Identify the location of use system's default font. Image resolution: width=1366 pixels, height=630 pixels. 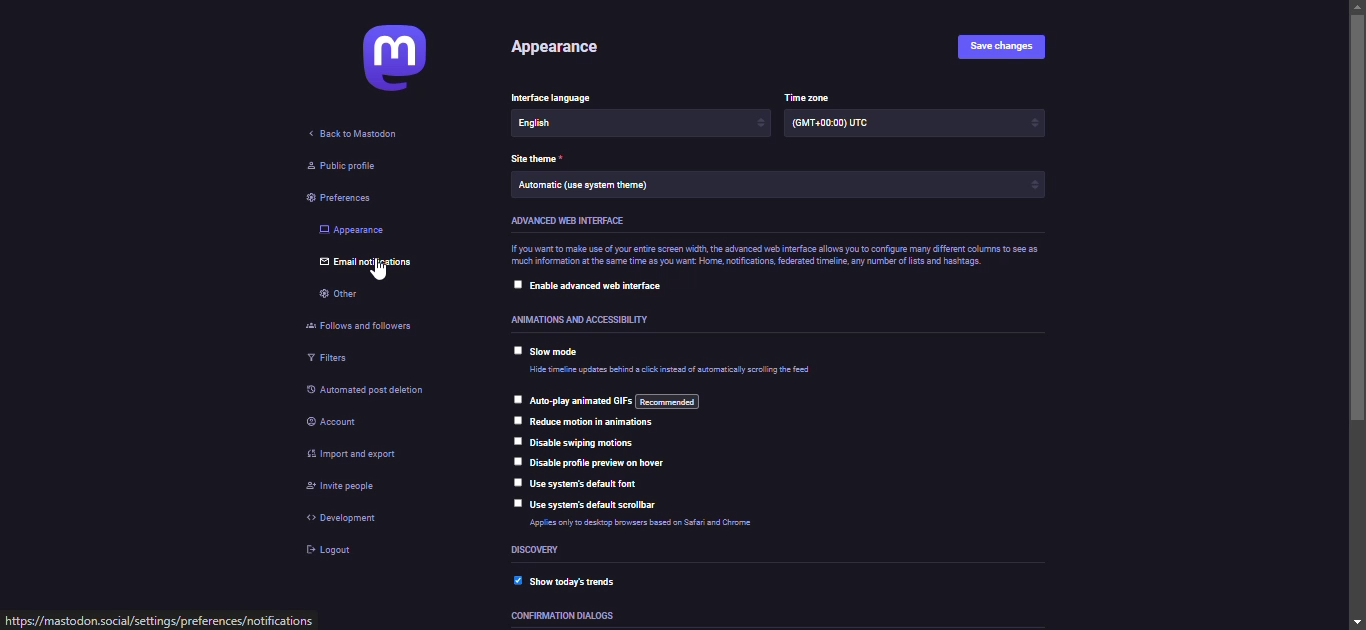
(592, 483).